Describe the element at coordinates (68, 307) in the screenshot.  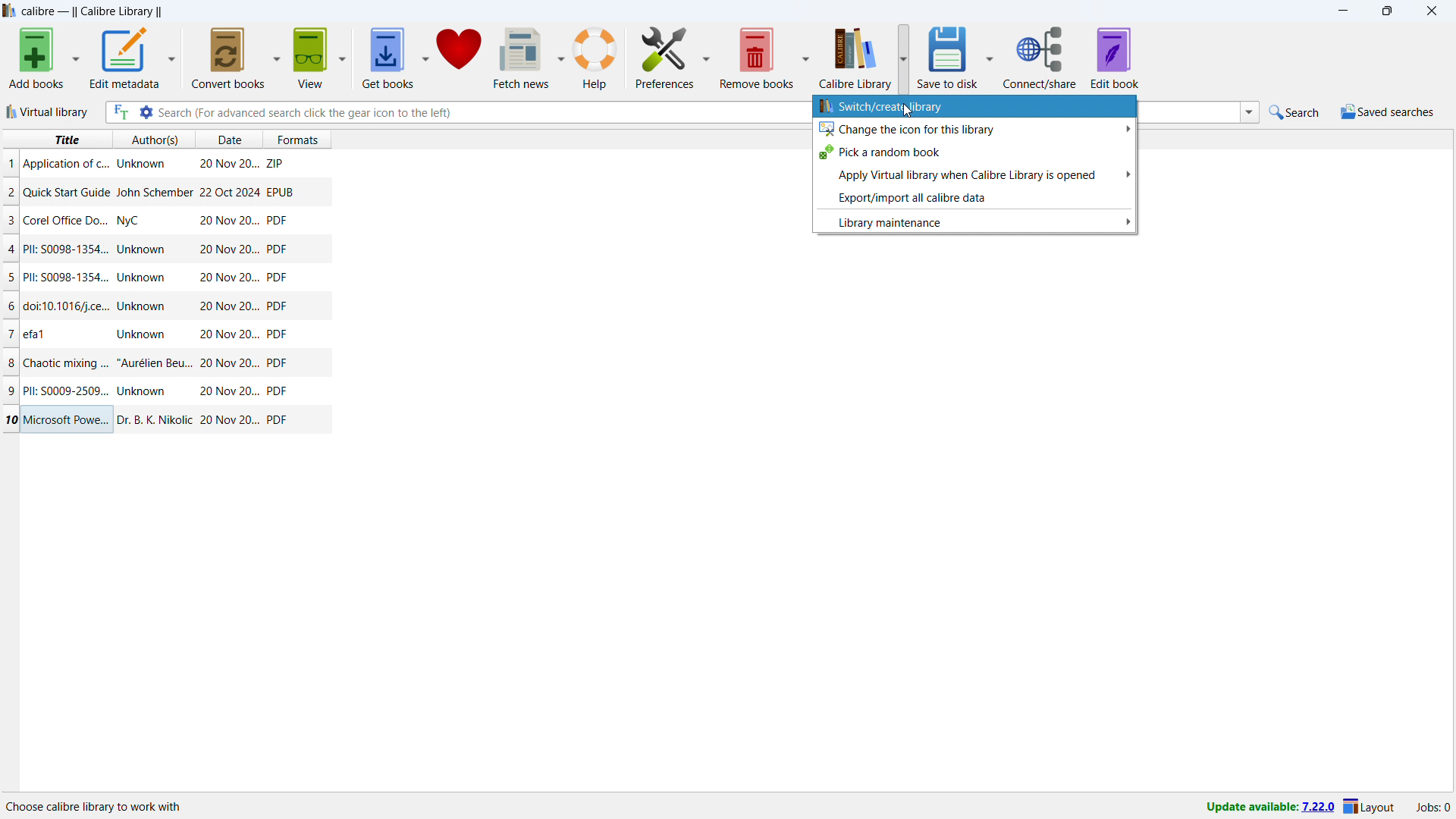
I see `Title` at that location.